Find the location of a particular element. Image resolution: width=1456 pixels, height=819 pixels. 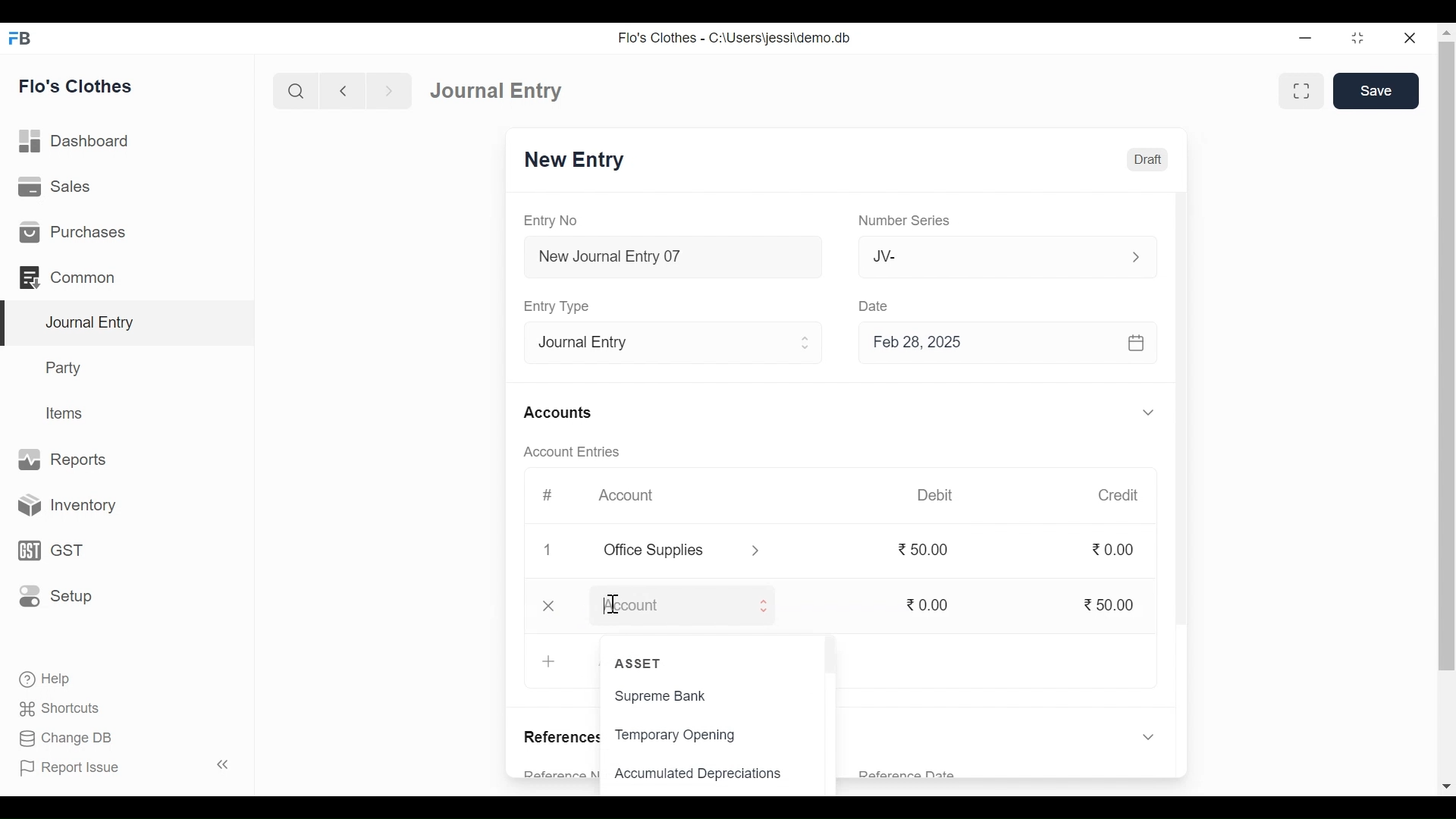

Navigate Back is located at coordinates (342, 91).